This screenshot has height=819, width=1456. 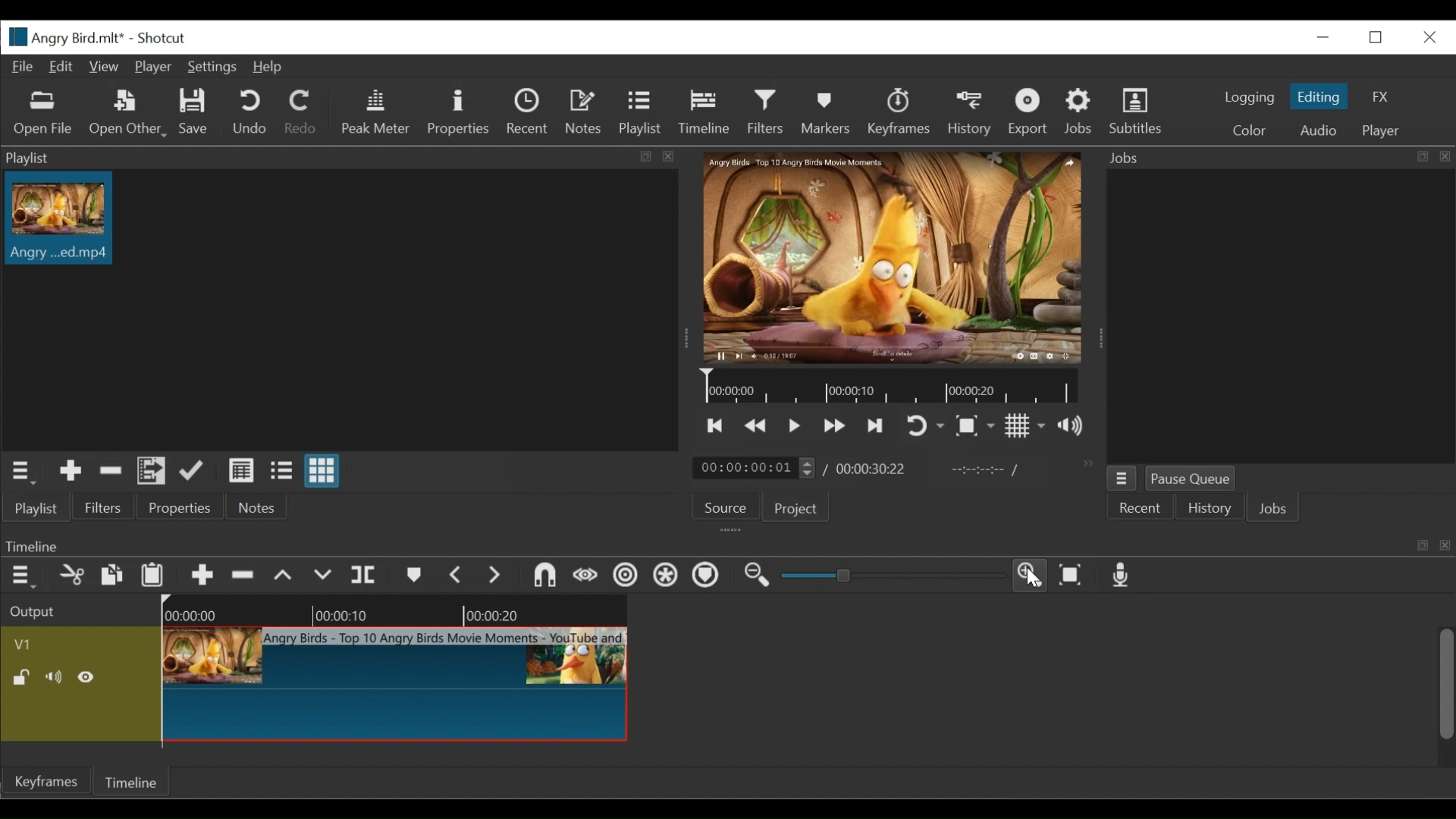 I want to click on Hide, so click(x=90, y=676).